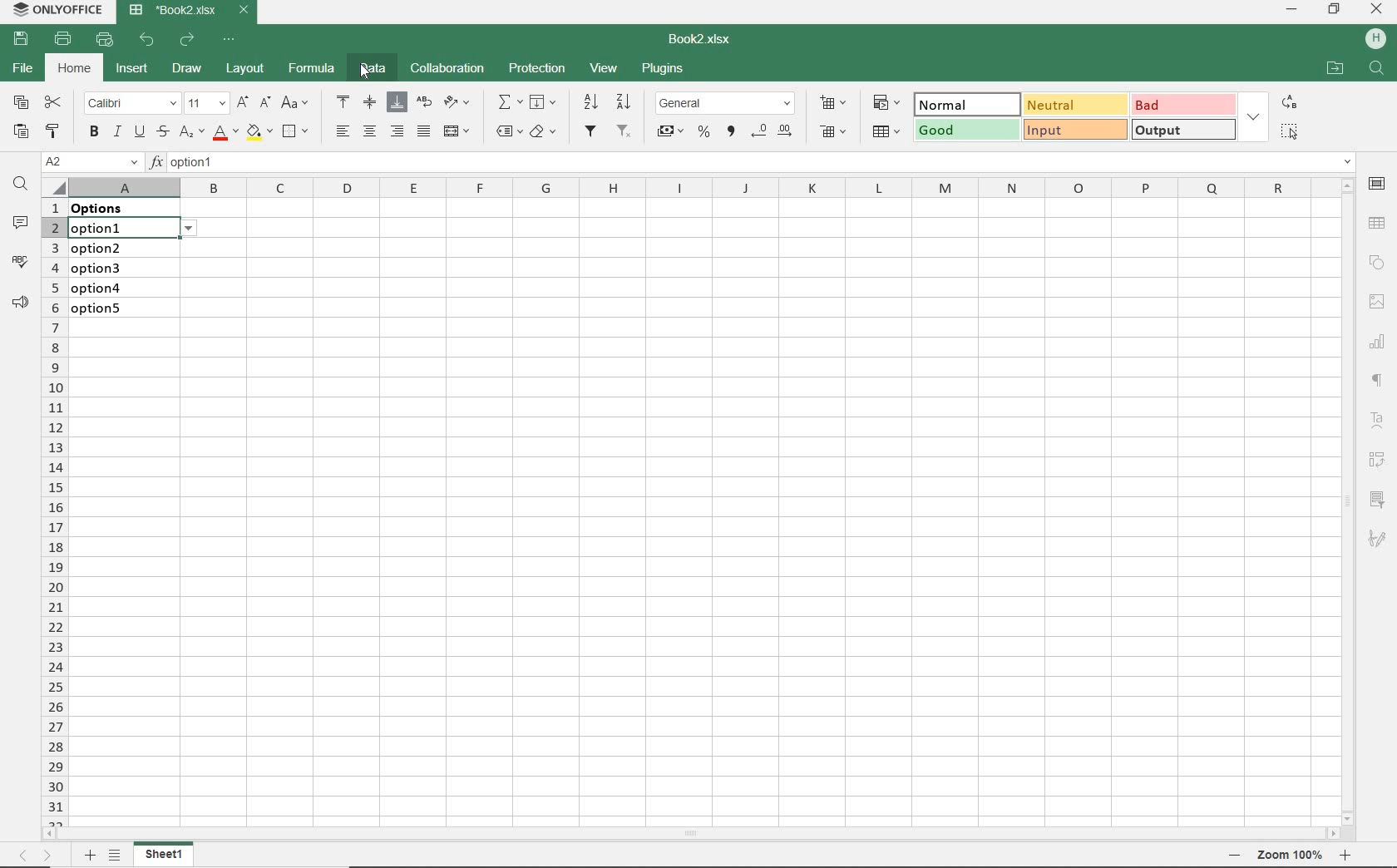 The height and width of the screenshot is (868, 1397). What do you see at coordinates (295, 131) in the screenshot?
I see `BORDERS` at bounding box center [295, 131].